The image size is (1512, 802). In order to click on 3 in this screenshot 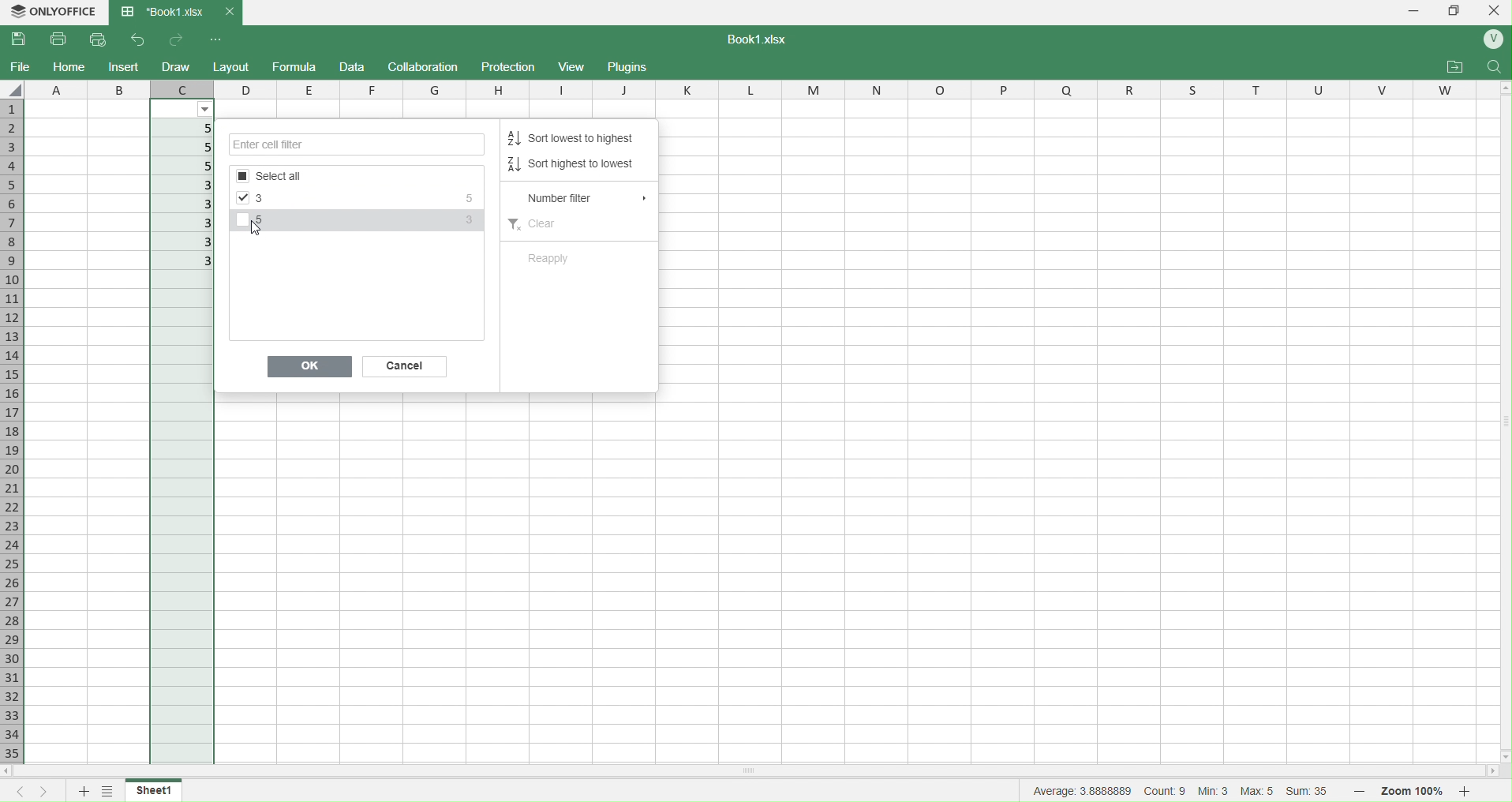, I will do `click(183, 243)`.